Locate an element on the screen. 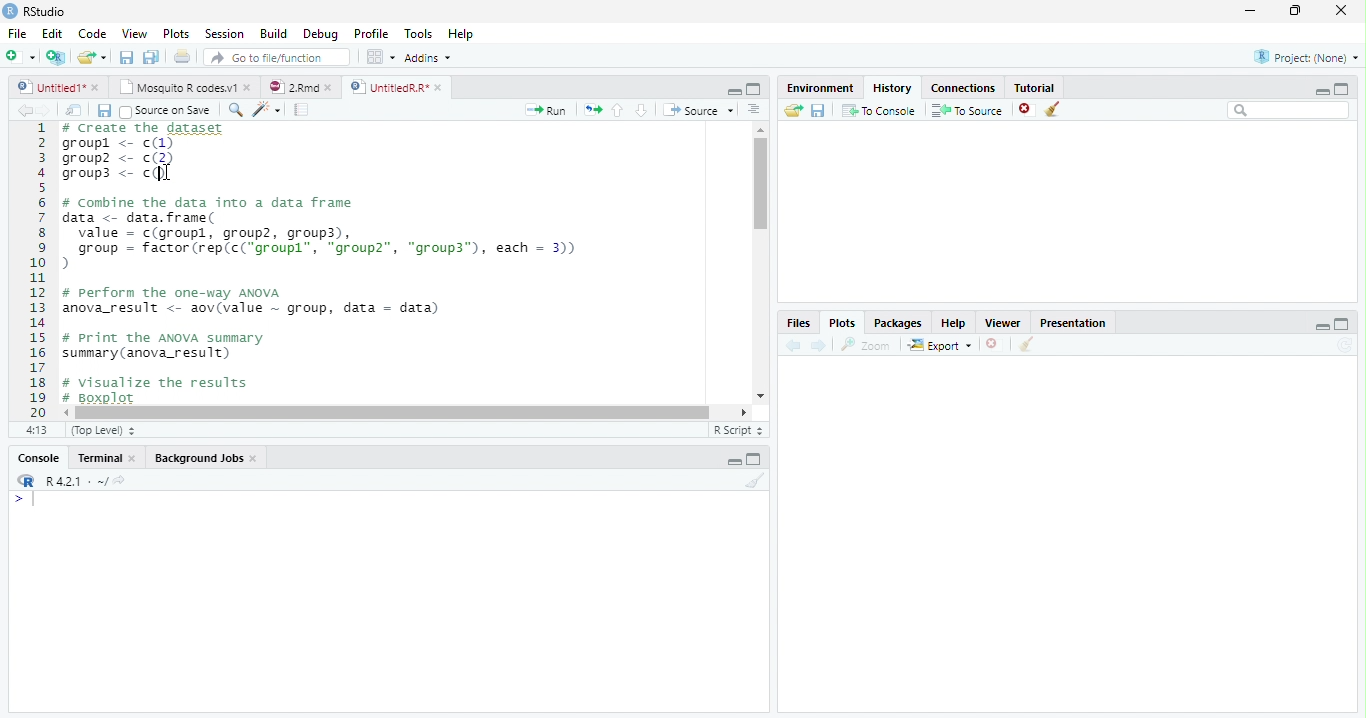 The width and height of the screenshot is (1366, 718). Go to next section  is located at coordinates (642, 111).